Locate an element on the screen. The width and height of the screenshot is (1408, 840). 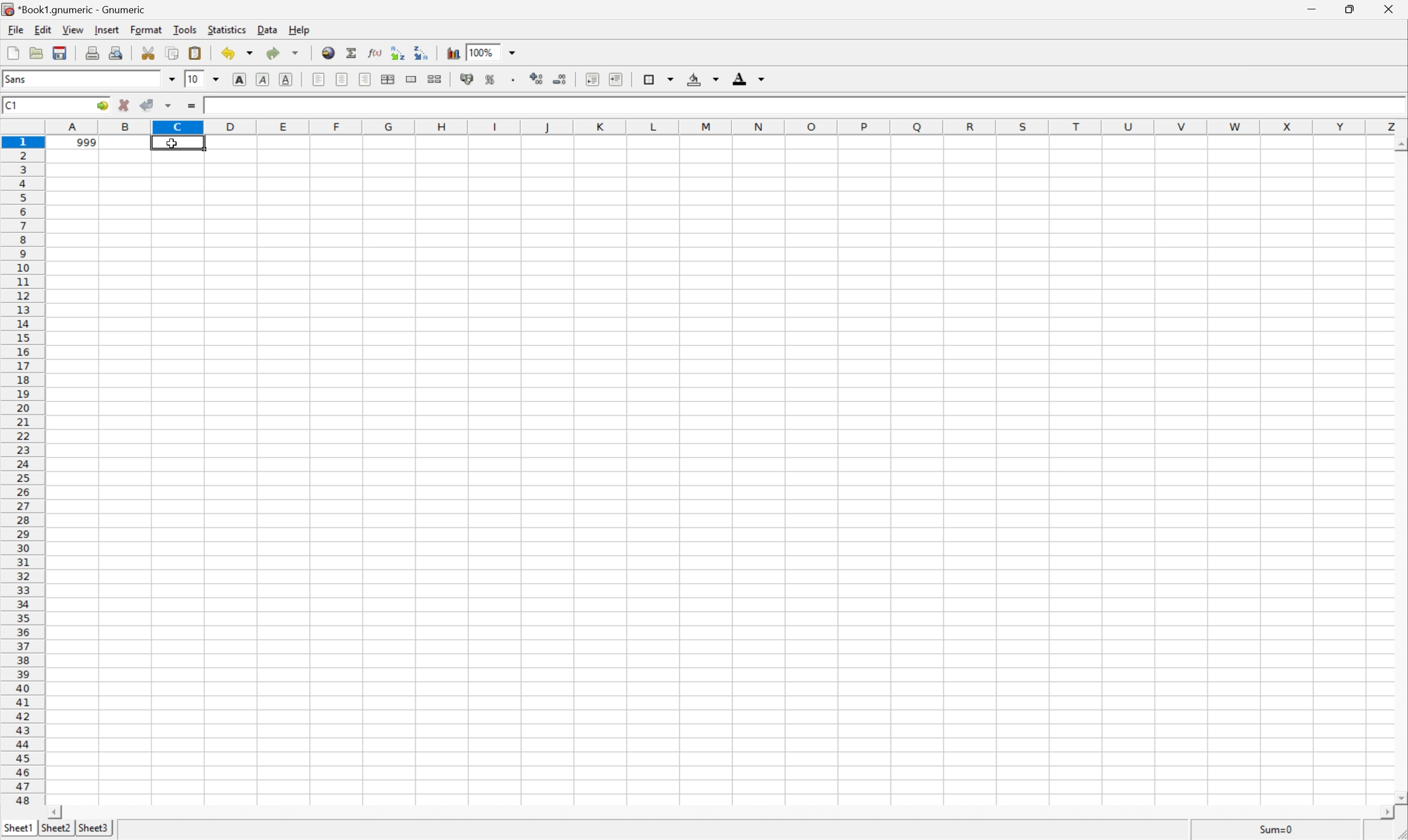
Sort the selected region in descending order based on the first column selected is located at coordinates (420, 53).